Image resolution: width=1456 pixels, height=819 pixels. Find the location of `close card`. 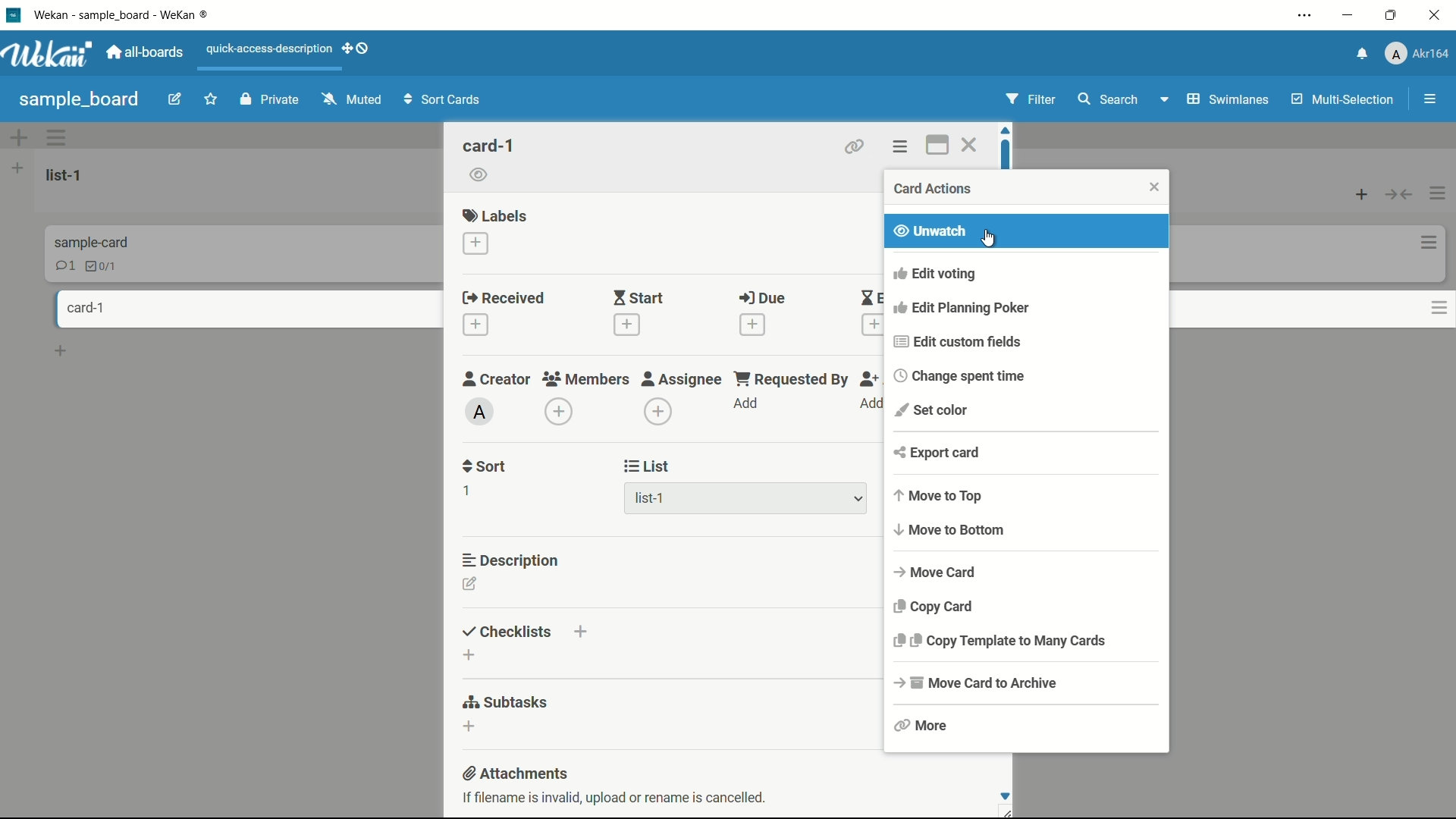

close card is located at coordinates (1154, 187).